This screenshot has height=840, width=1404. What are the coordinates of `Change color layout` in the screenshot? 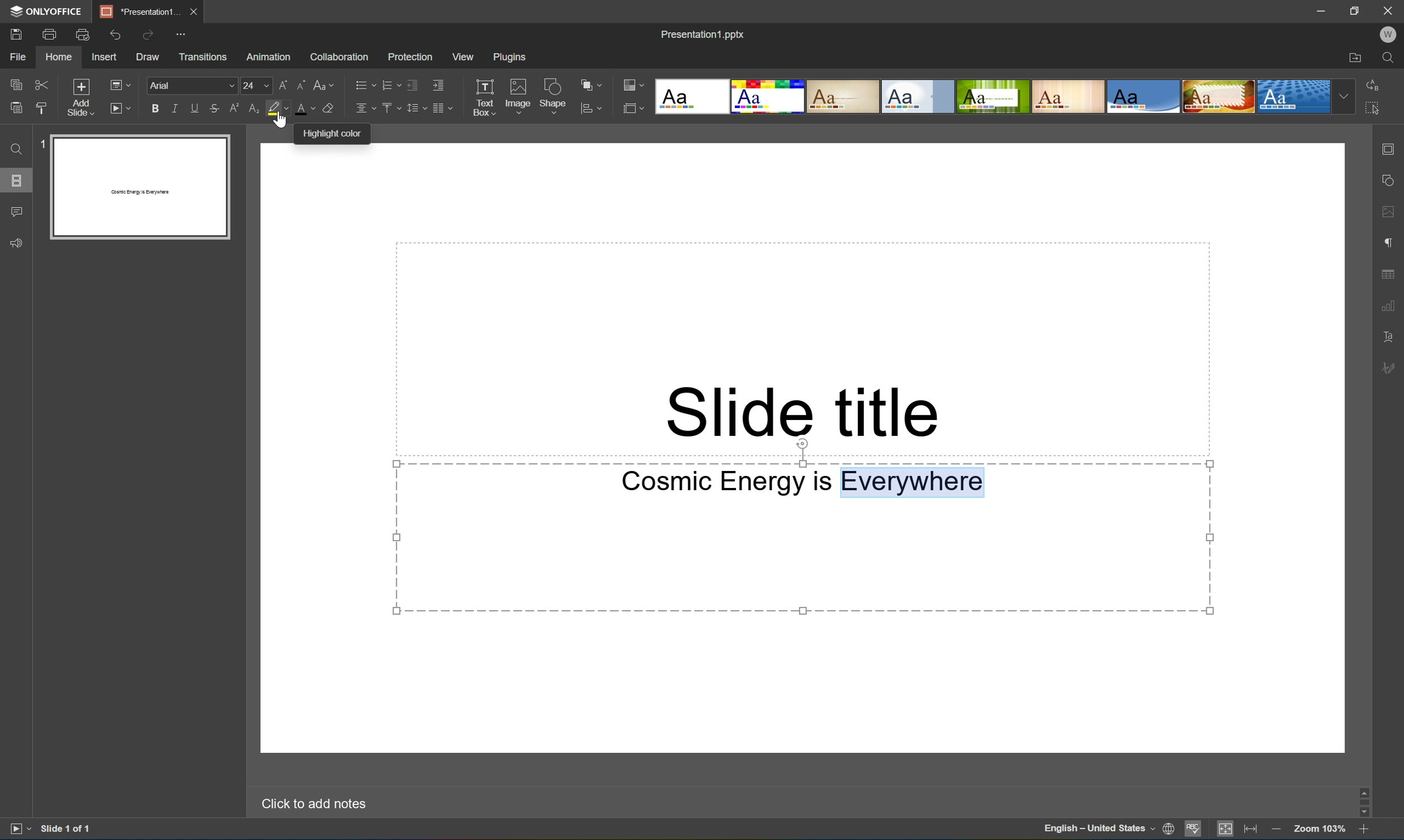 It's located at (633, 84).